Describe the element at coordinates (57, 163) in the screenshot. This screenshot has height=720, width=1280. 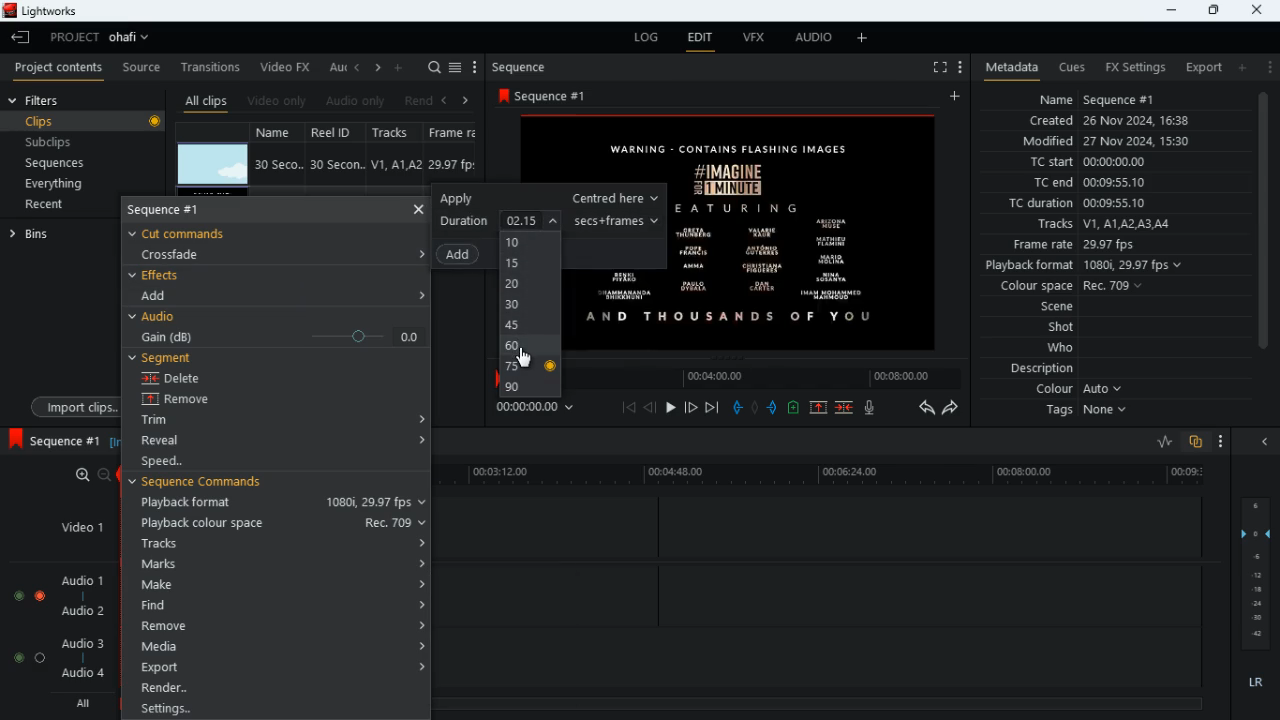
I see `sequences` at that location.